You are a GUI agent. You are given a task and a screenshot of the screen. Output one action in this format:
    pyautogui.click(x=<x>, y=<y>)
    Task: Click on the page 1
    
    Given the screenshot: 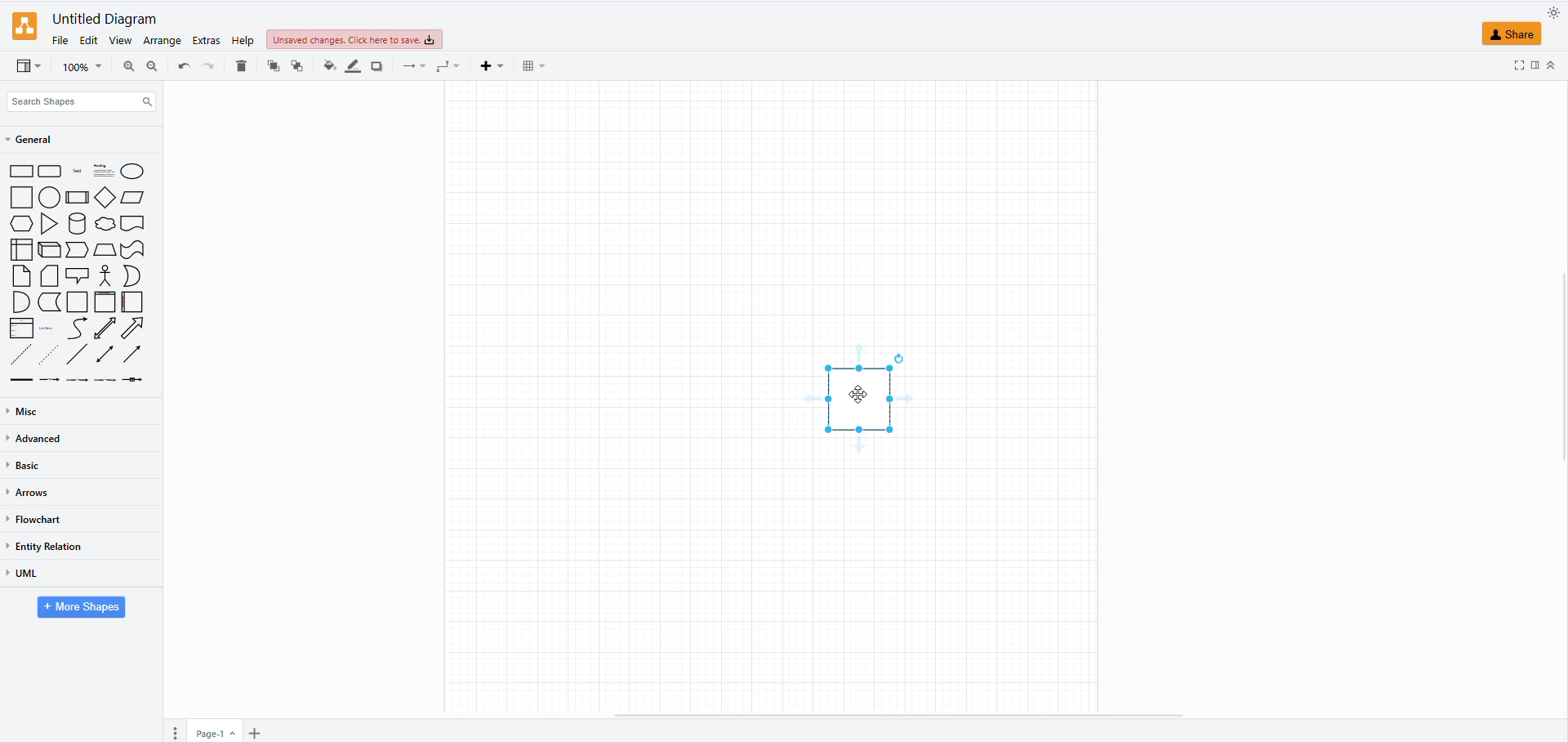 What is the action you would take?
    pyautogui.click(x=211, y=734)
    